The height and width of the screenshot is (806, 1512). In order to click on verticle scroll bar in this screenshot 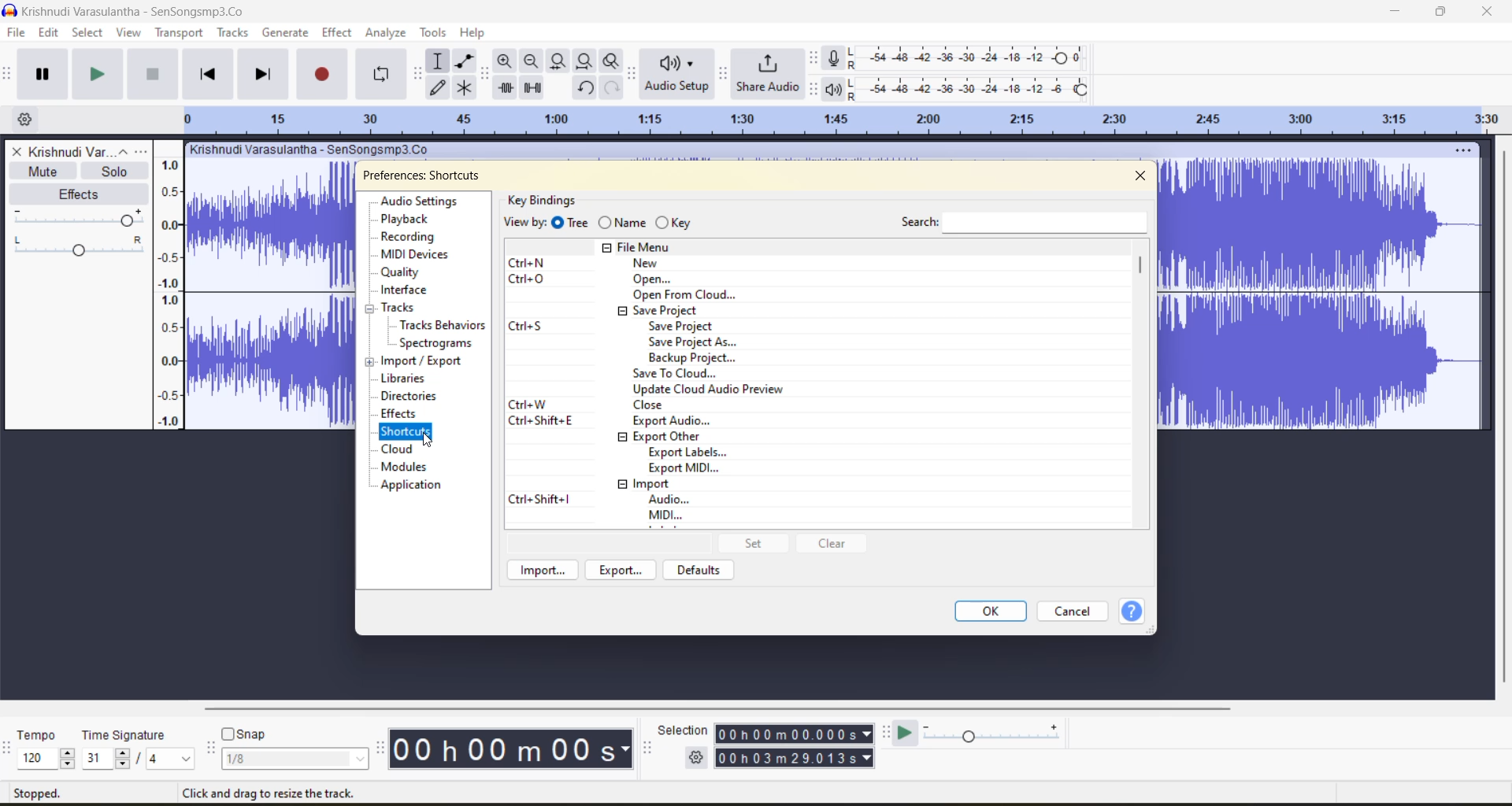, I will do `click(1504, 414)`.